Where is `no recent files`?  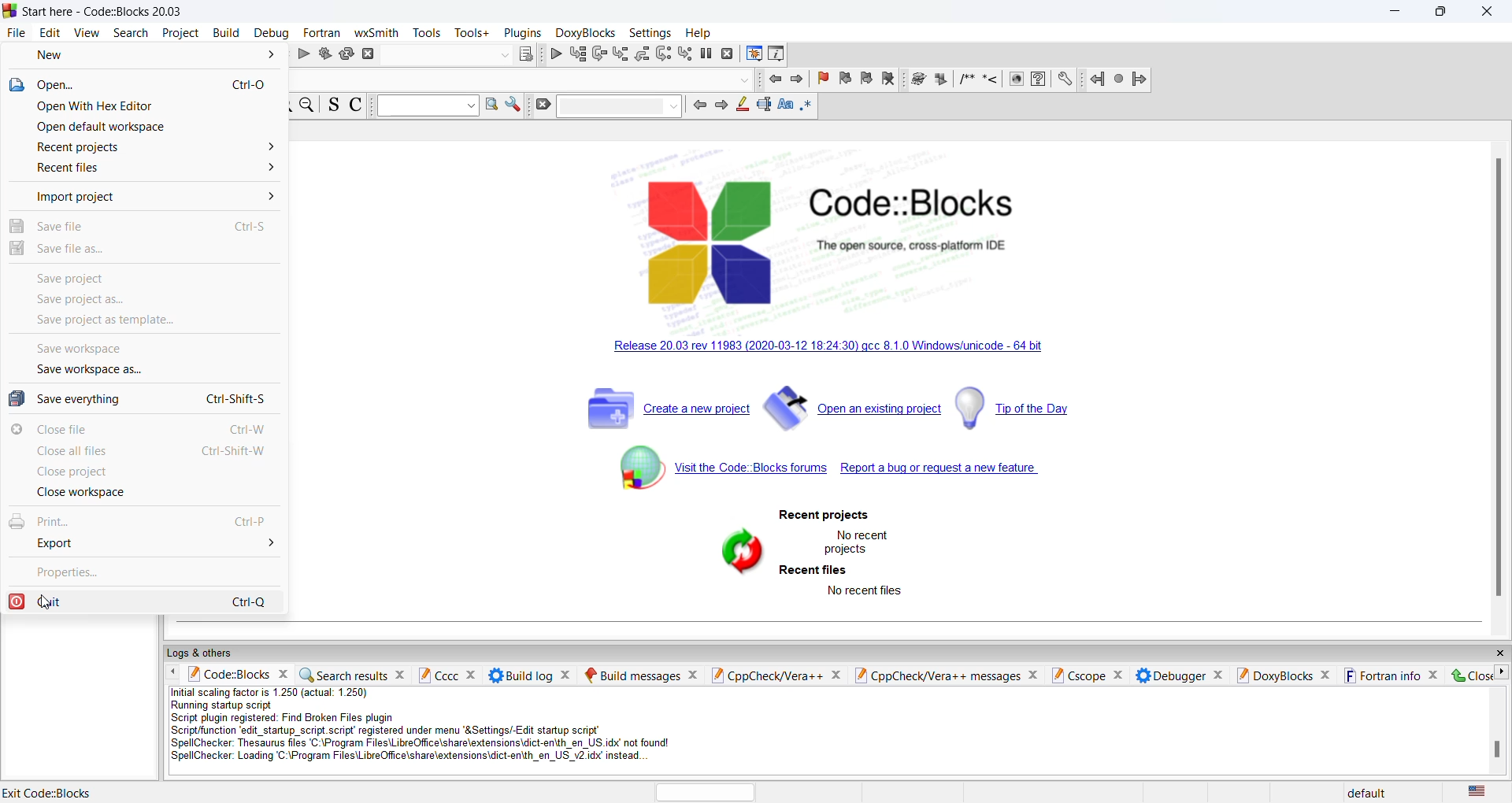 no recent files is located at coordinates (865, 591).